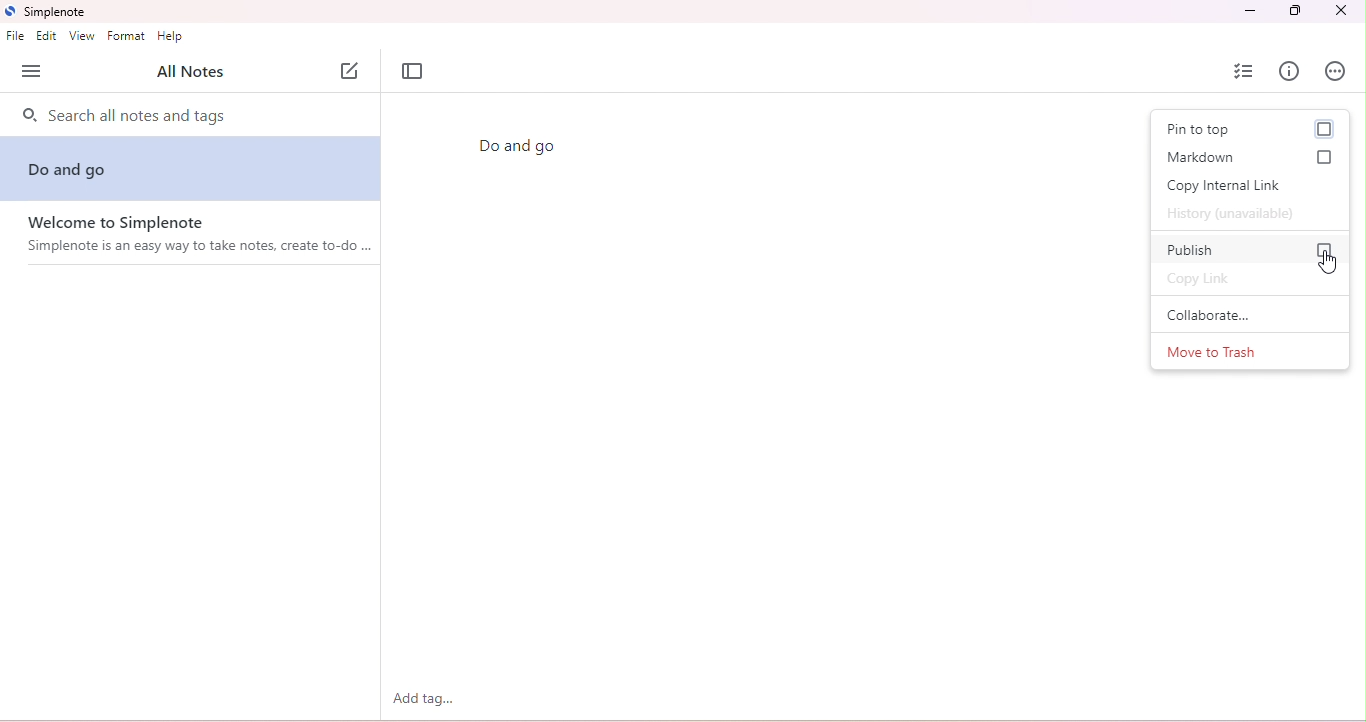 The height and width of the screenshot is (722, 1366). What do you see at coordinates (47, 36) in the screenshot?
I see `edit` at bounding box center [47, 36].